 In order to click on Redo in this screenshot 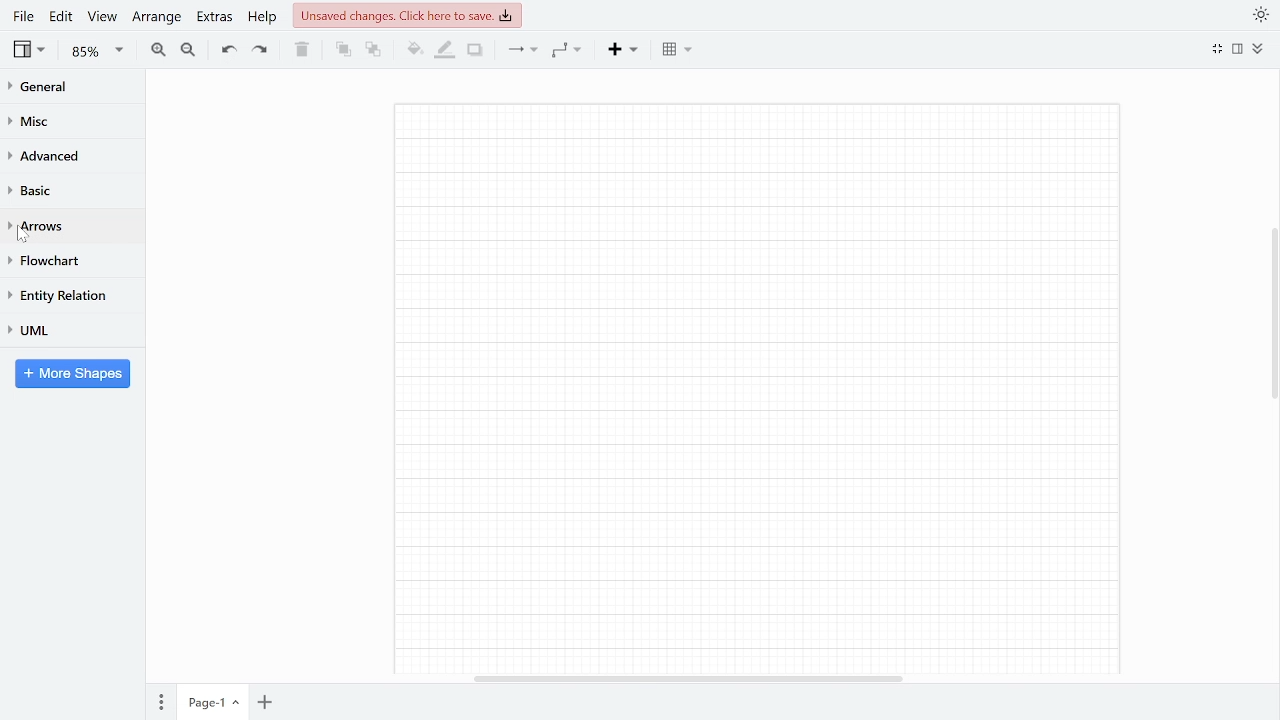, I will do `click(261, 51)`.